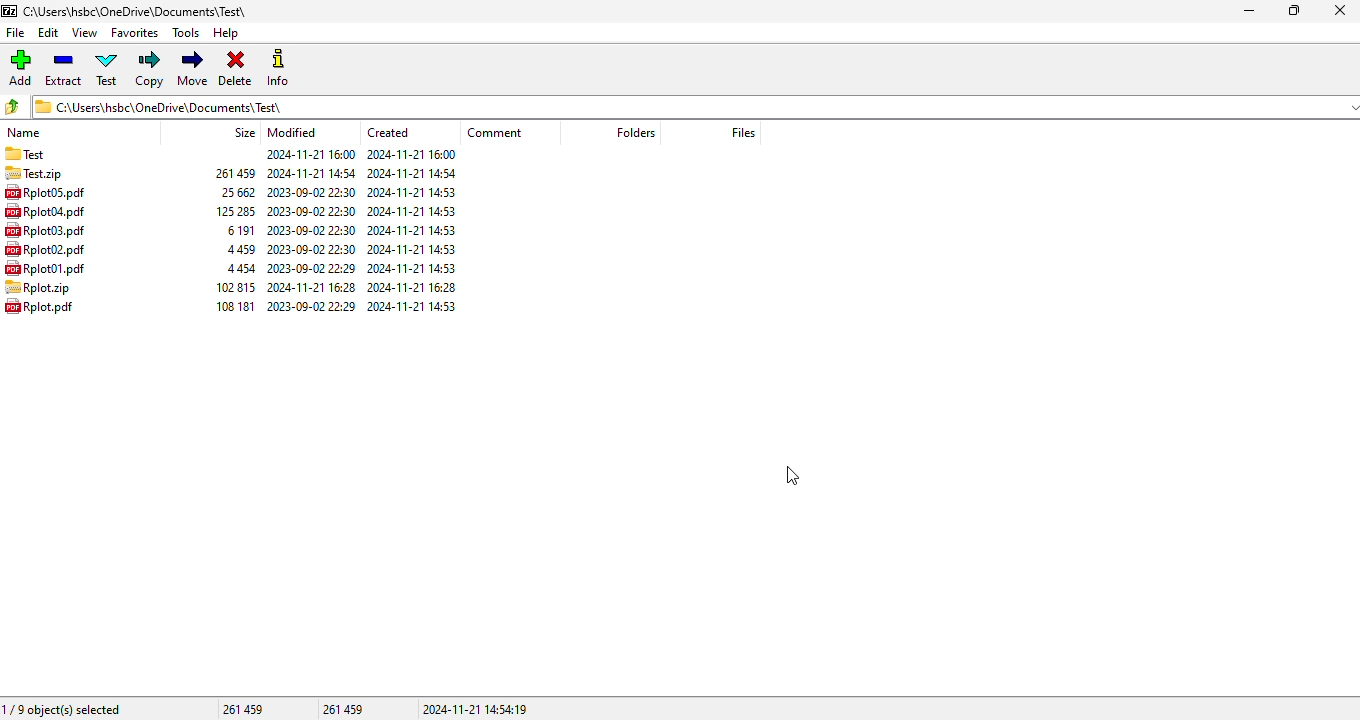 This screenshot has width=1360, height=720. Describe the element at coordinates (107, 70) in the screenshot. I see `test` at that location.